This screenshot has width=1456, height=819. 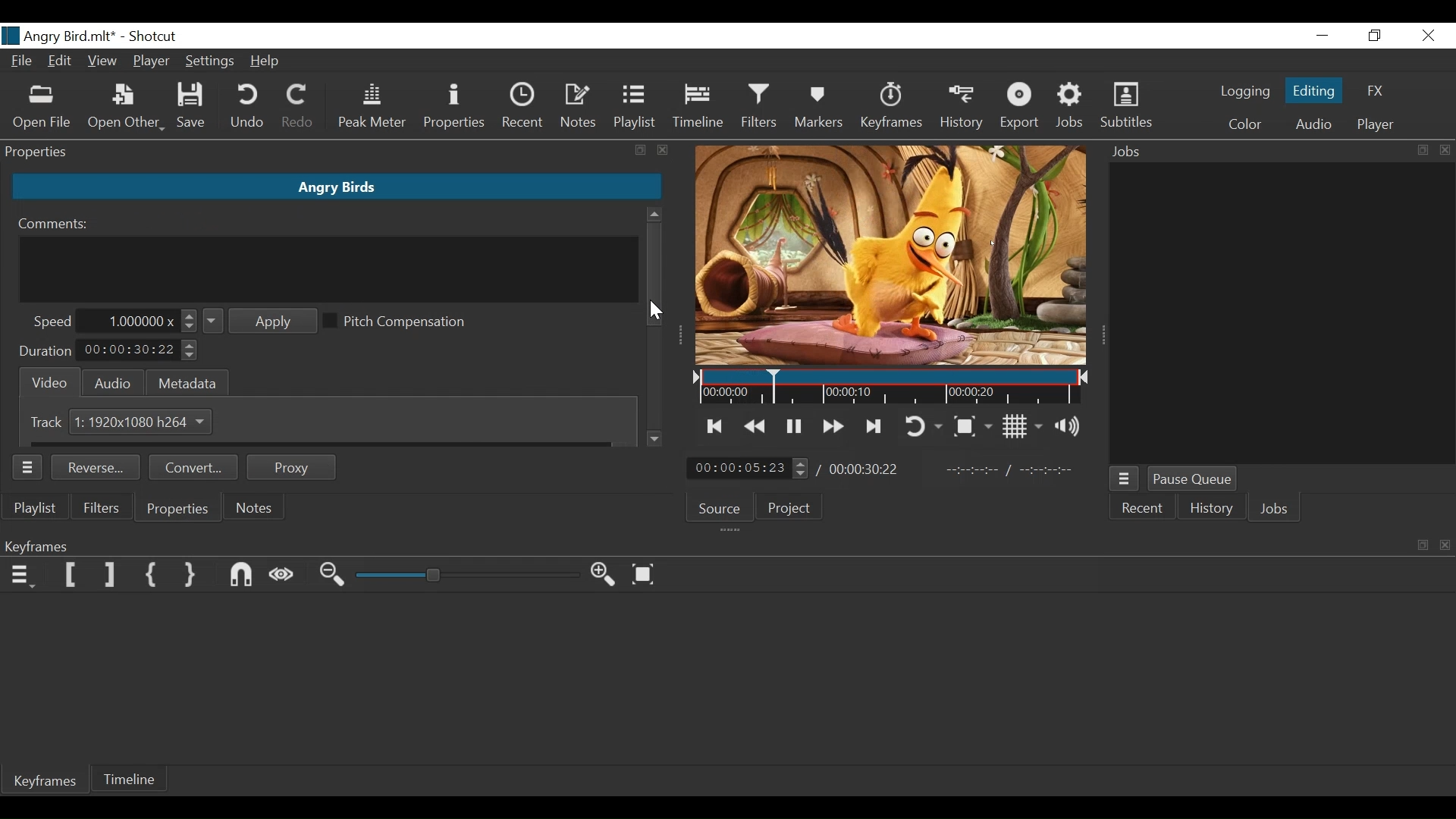 I want to click on Current position, so click(x=749, y=468).